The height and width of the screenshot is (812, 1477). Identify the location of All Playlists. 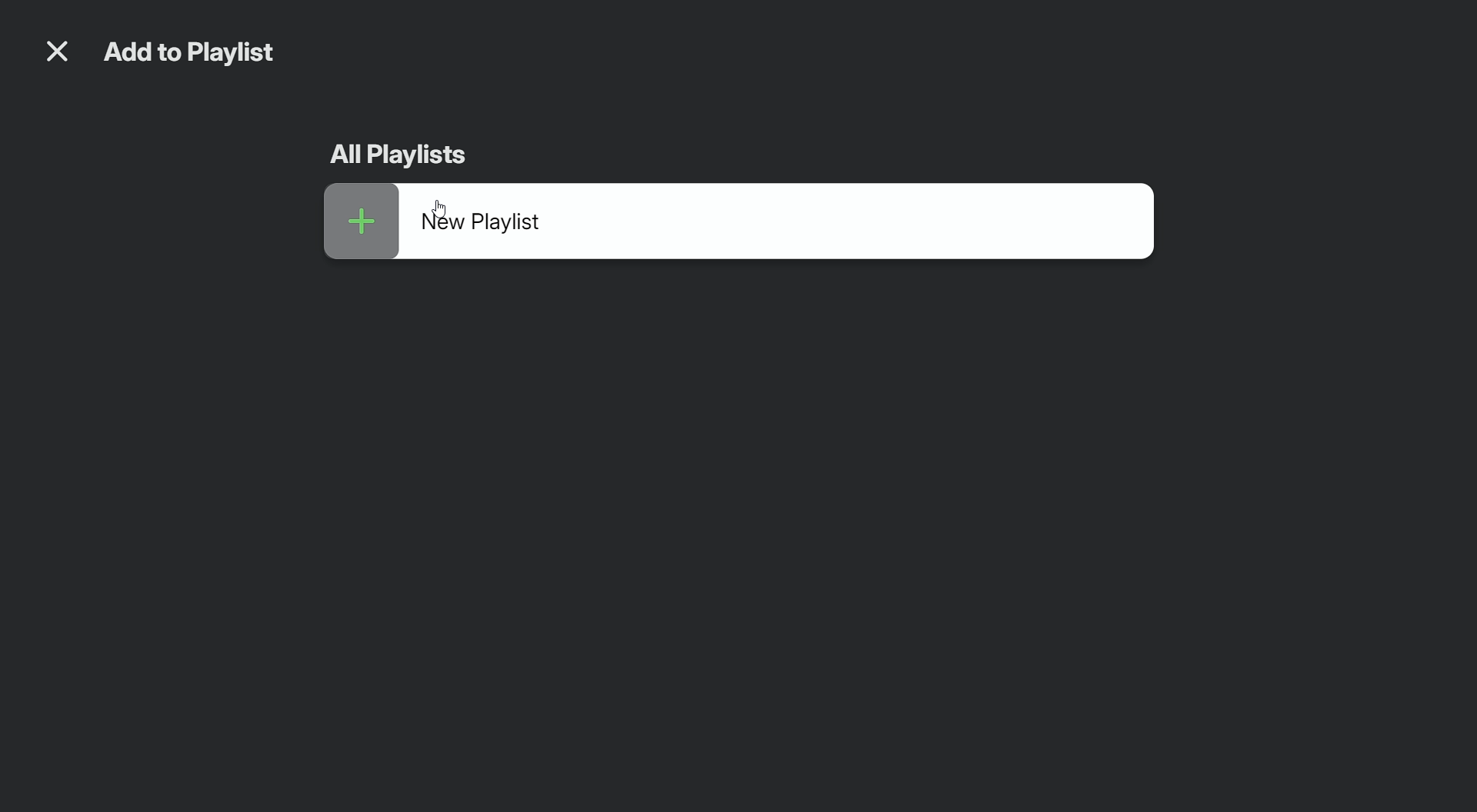
(402, 156).